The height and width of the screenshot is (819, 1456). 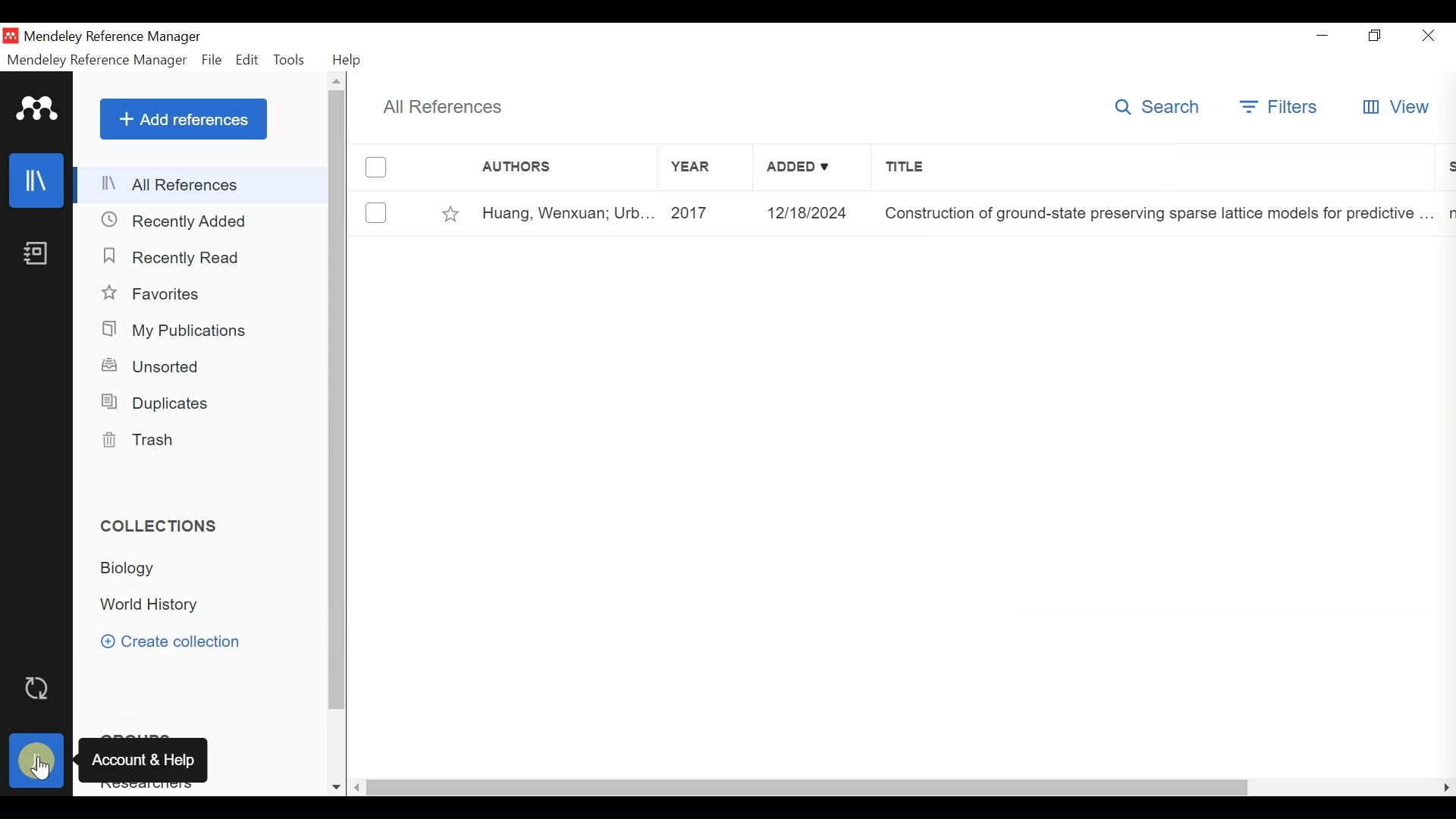 What do you see at coordinates (814, 171) in the screenshot?
I see `Added` at bounding box center [814, 171].